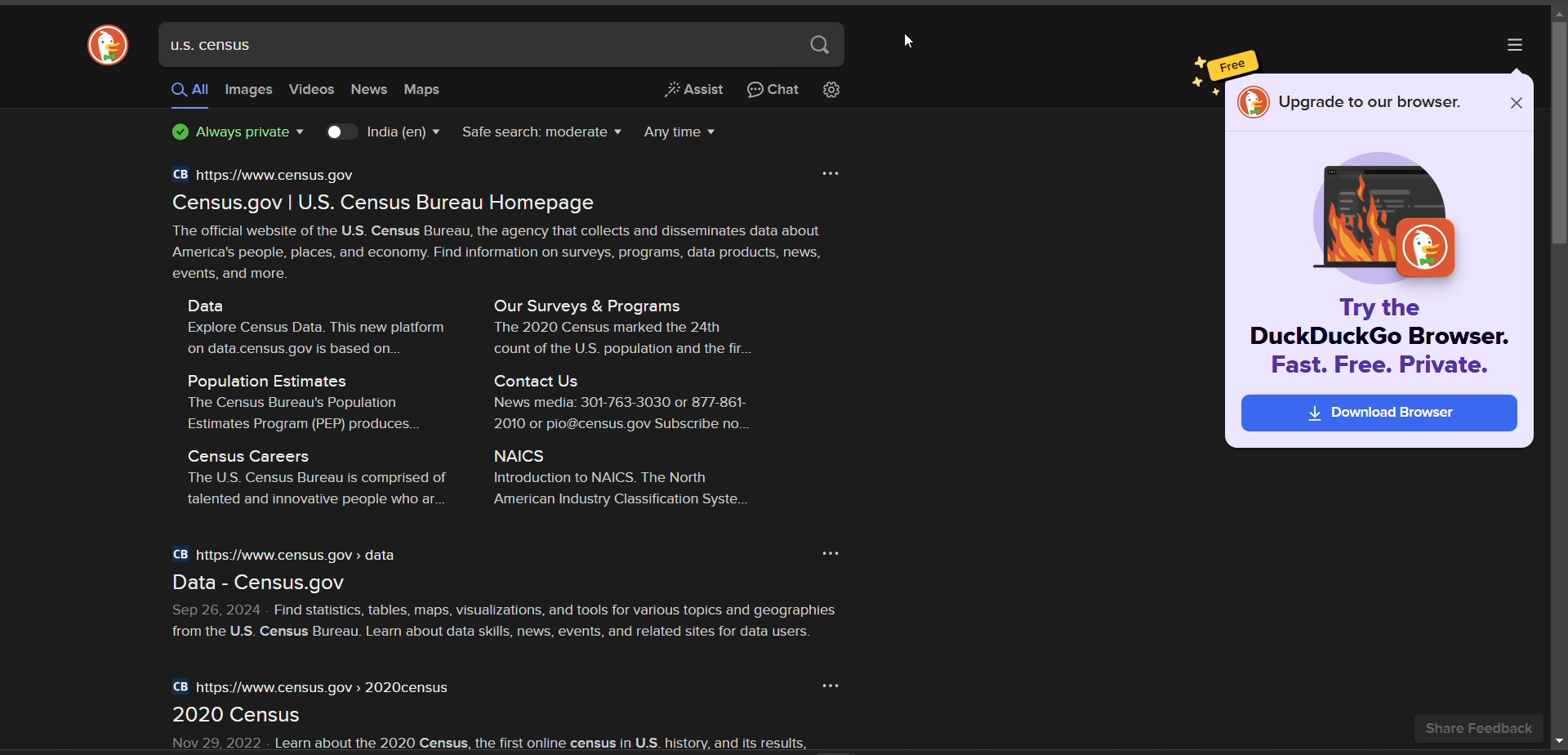  Describe the element at coordinates (296, 415) in the screenshot. I see `The Census Bureau's Population
Estimates Program (PEP) produces.` at that location.